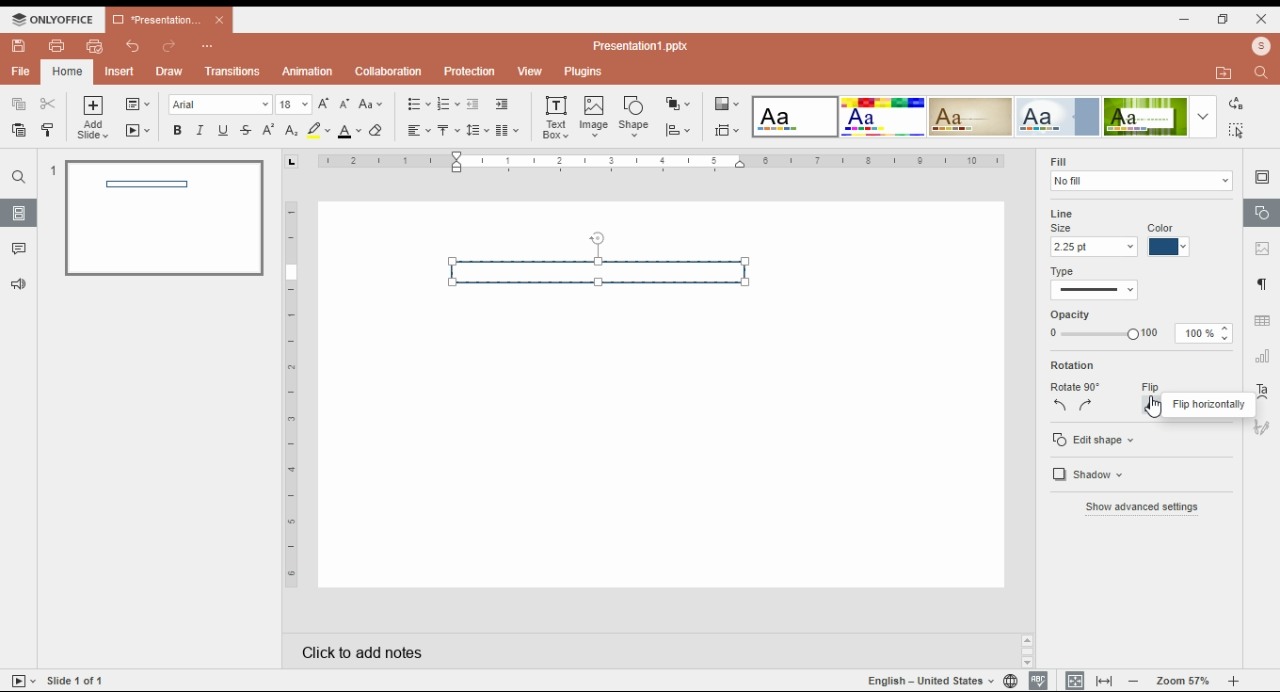  Describe the element at coordinates (1238, 130) in the screenshot. I see `find` at that location.